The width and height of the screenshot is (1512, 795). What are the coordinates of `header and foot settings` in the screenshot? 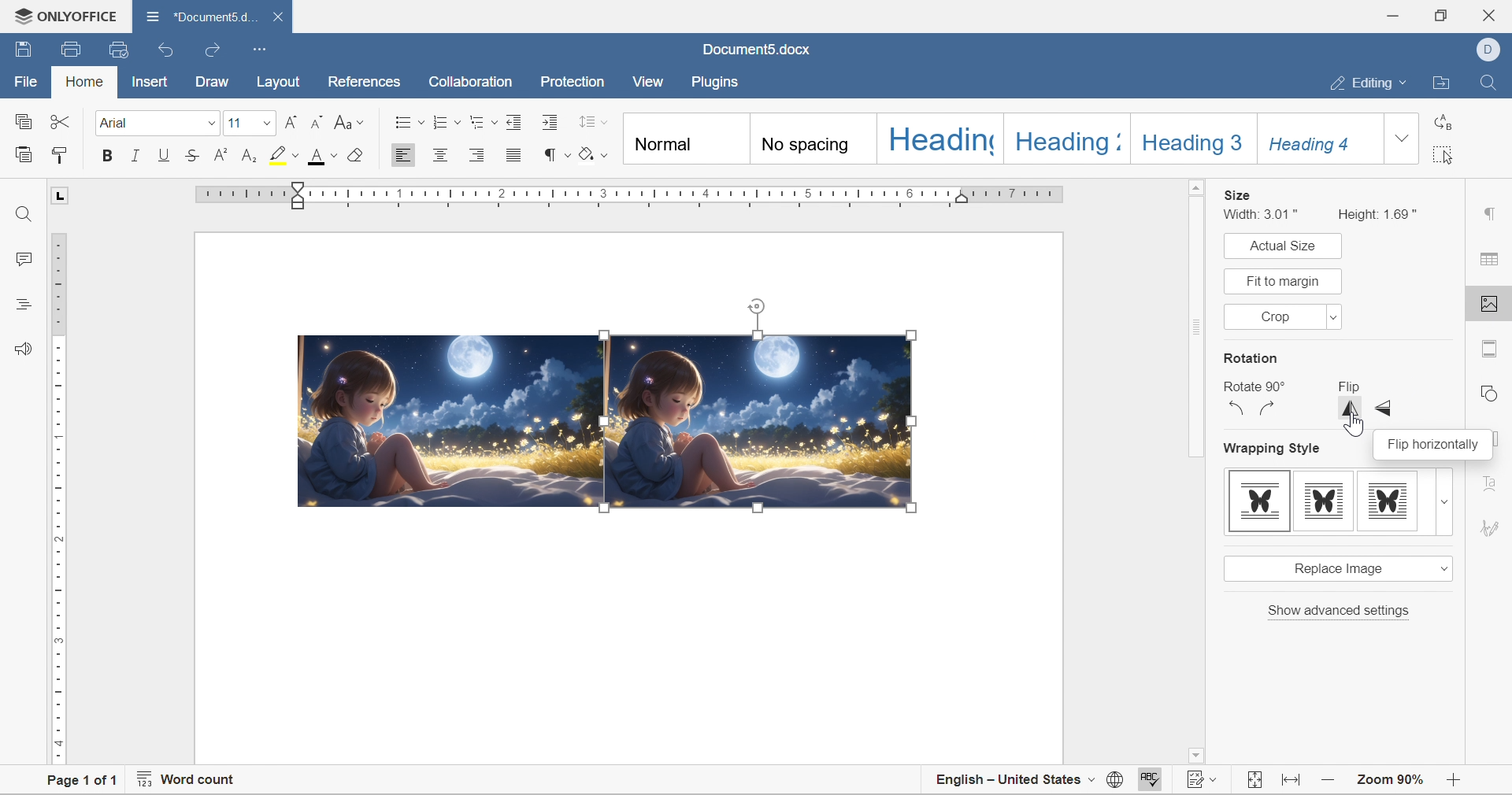 It's located at (1491, 348).